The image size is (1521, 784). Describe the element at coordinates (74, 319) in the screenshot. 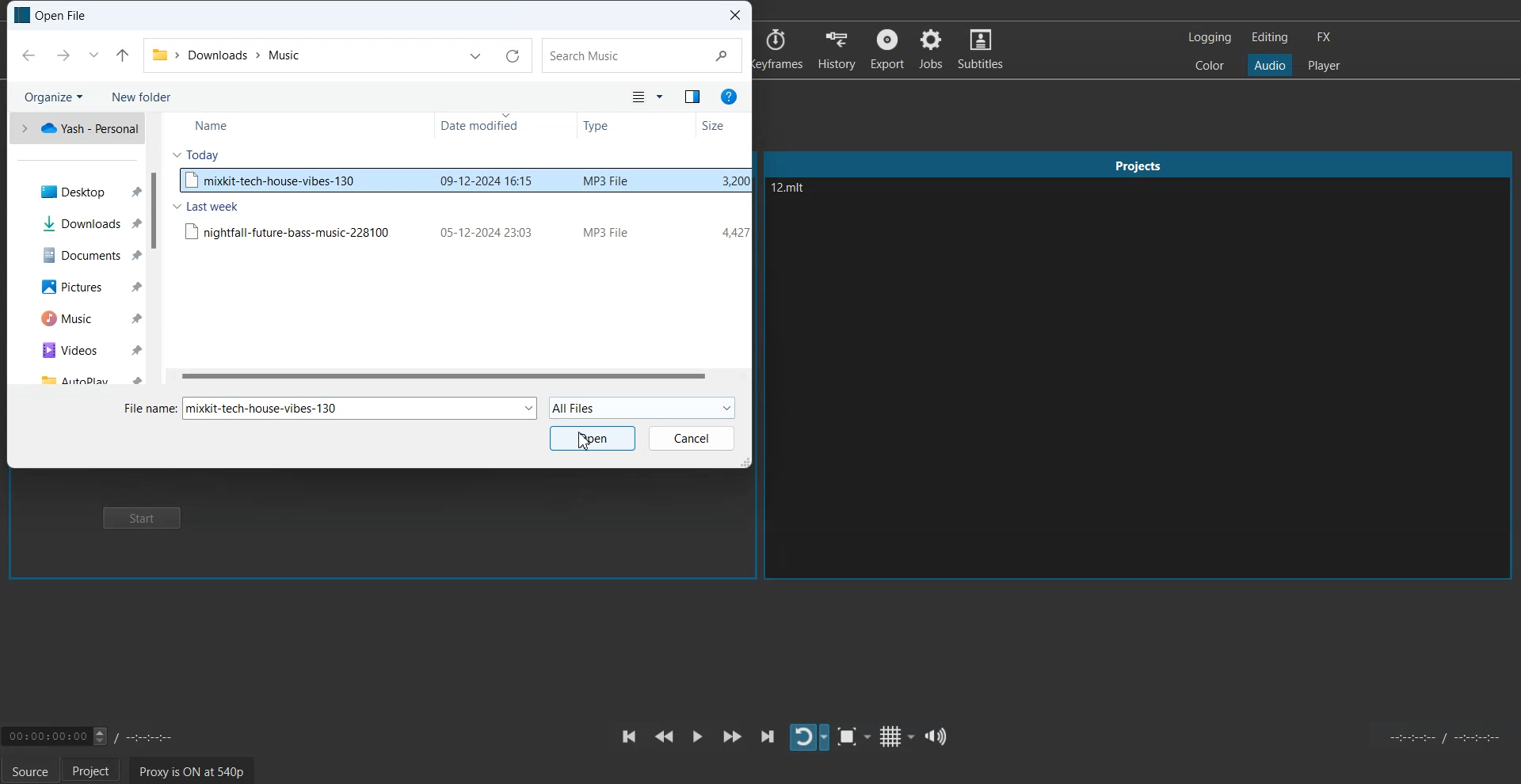

I see `Music` at that location.